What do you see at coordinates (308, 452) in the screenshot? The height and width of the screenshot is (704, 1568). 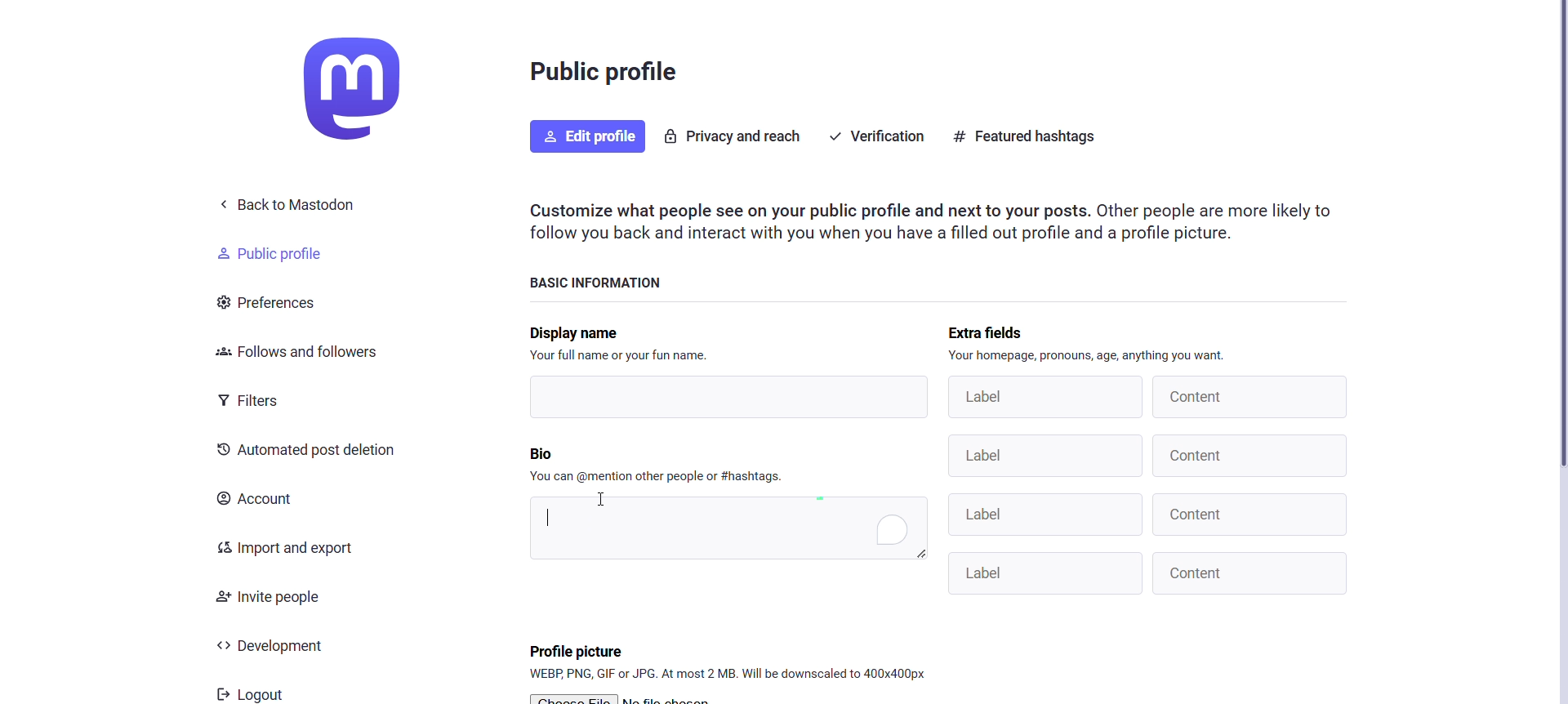 I see `Automated Post Deletion` at bounding box center [308, 452].